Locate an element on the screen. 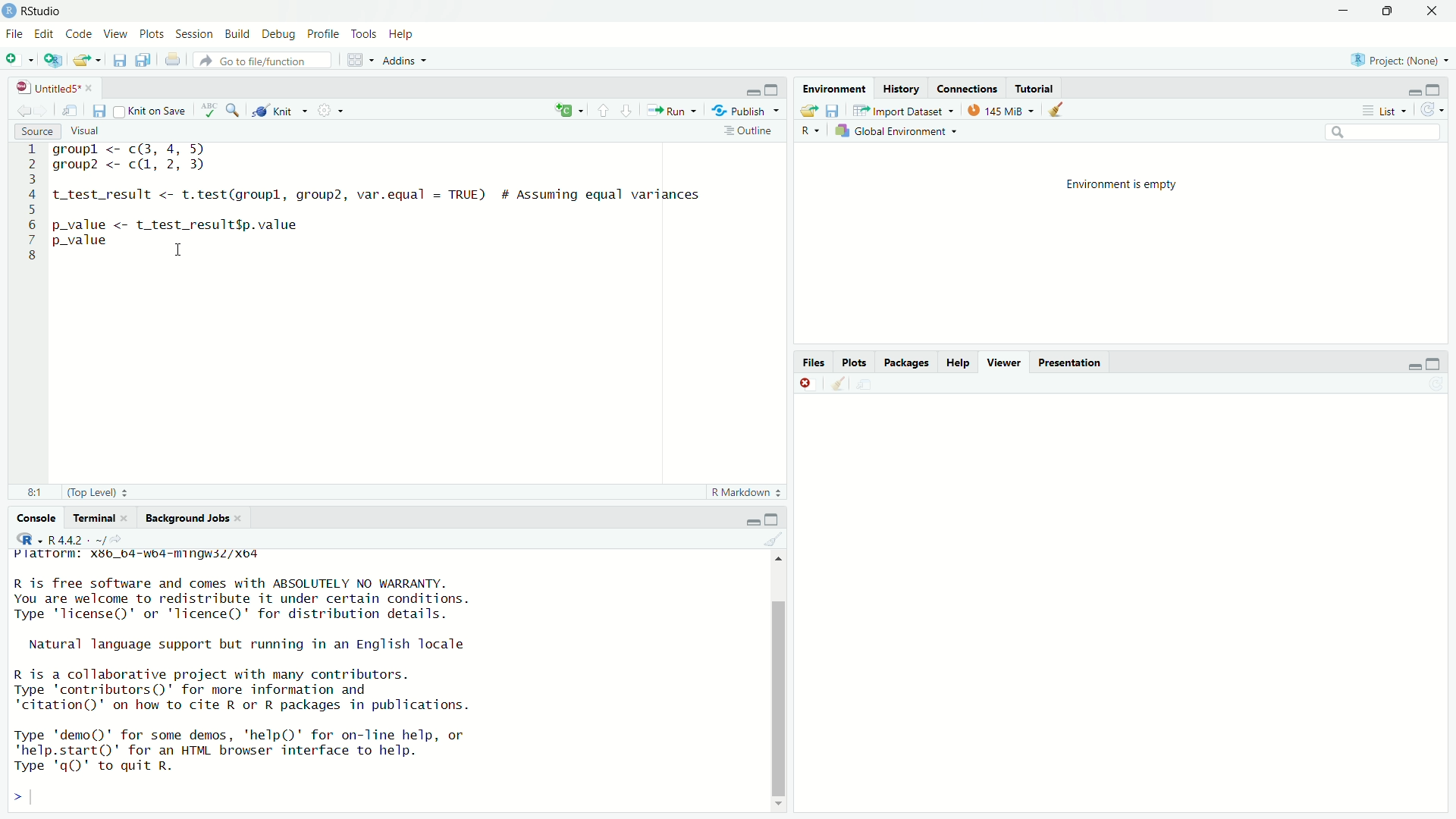 The image size is (1456, 819). Terminal is located at coordinates (98, 517).